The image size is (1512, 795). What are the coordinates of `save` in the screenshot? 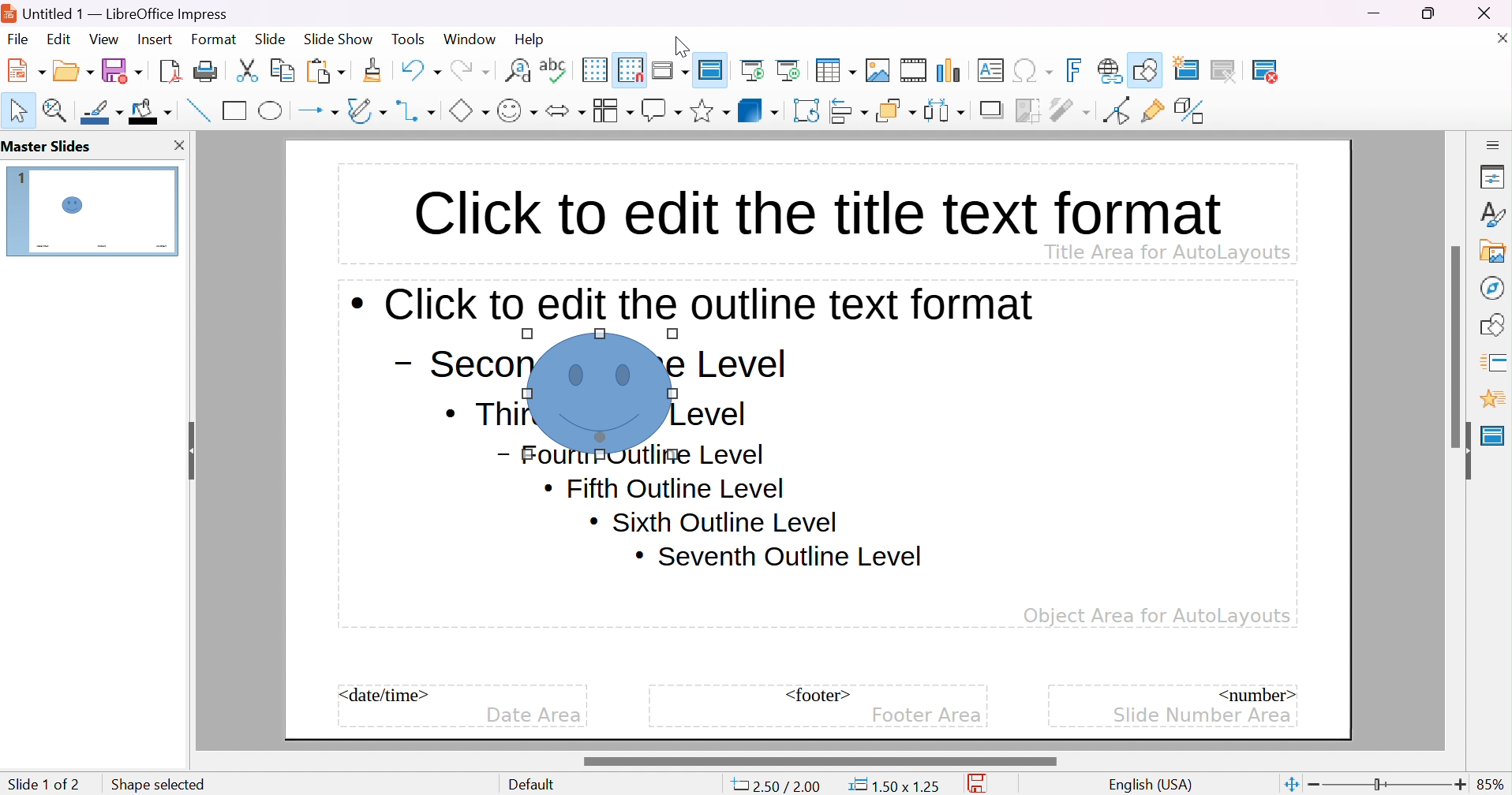 It's located at (122, 70).